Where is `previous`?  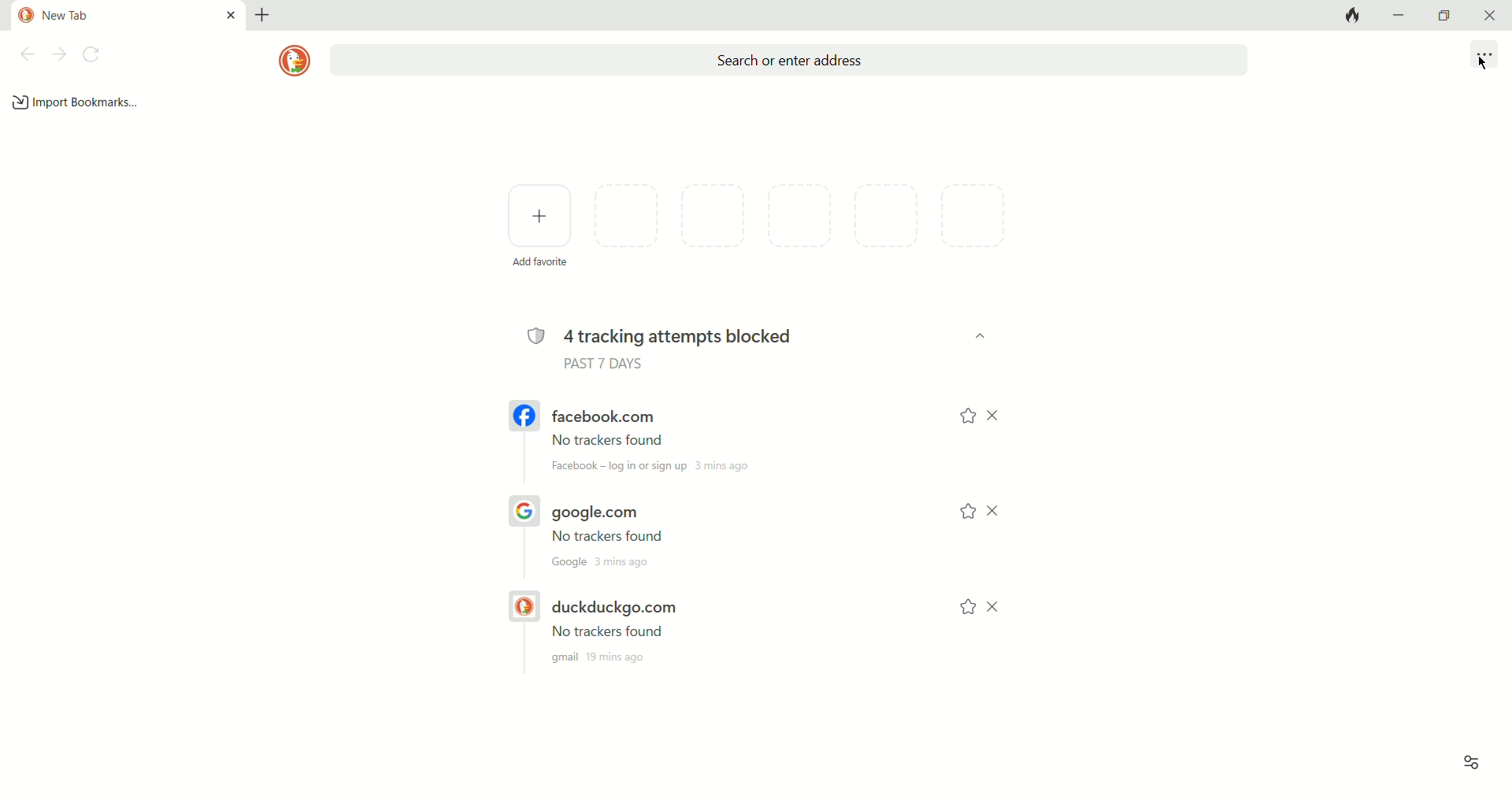
previous is located at coordinates (28, 54).